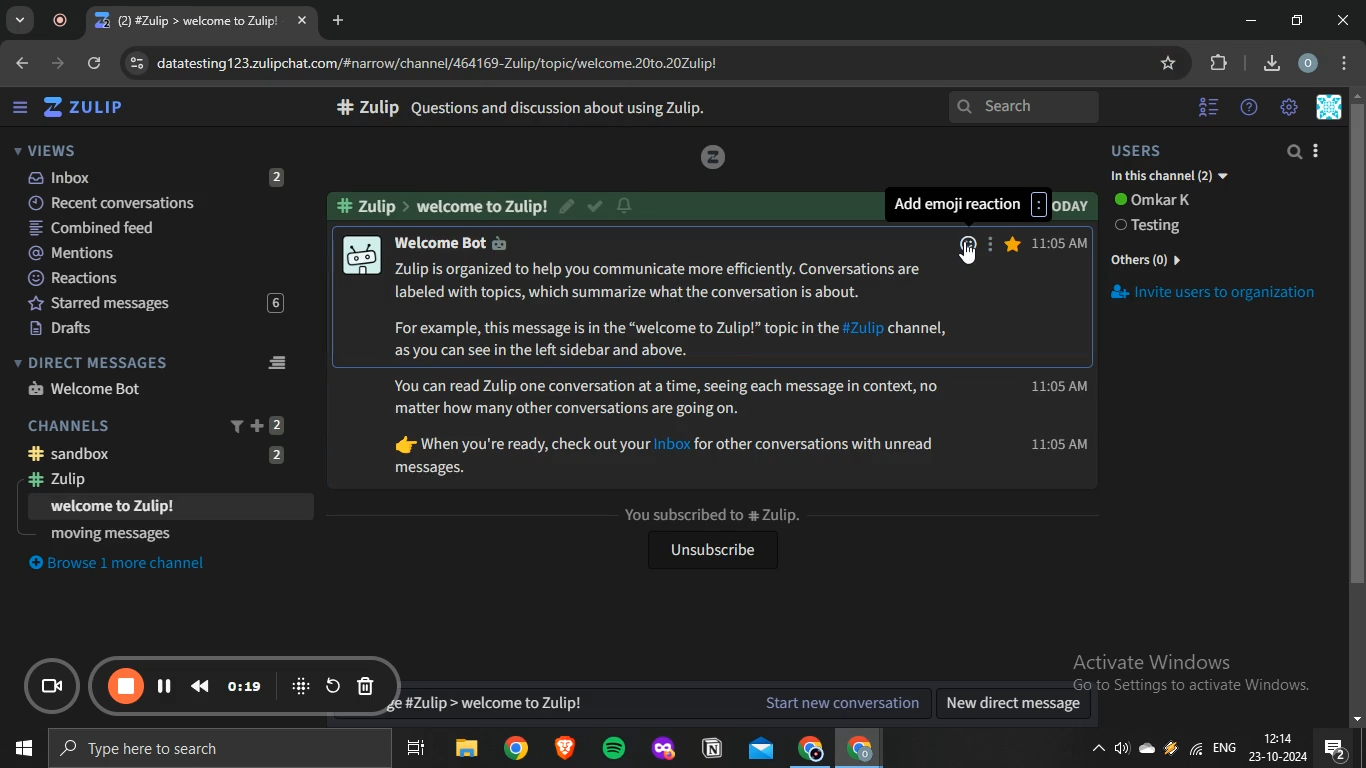  I want to click on recent conversations, so click(157, 201).